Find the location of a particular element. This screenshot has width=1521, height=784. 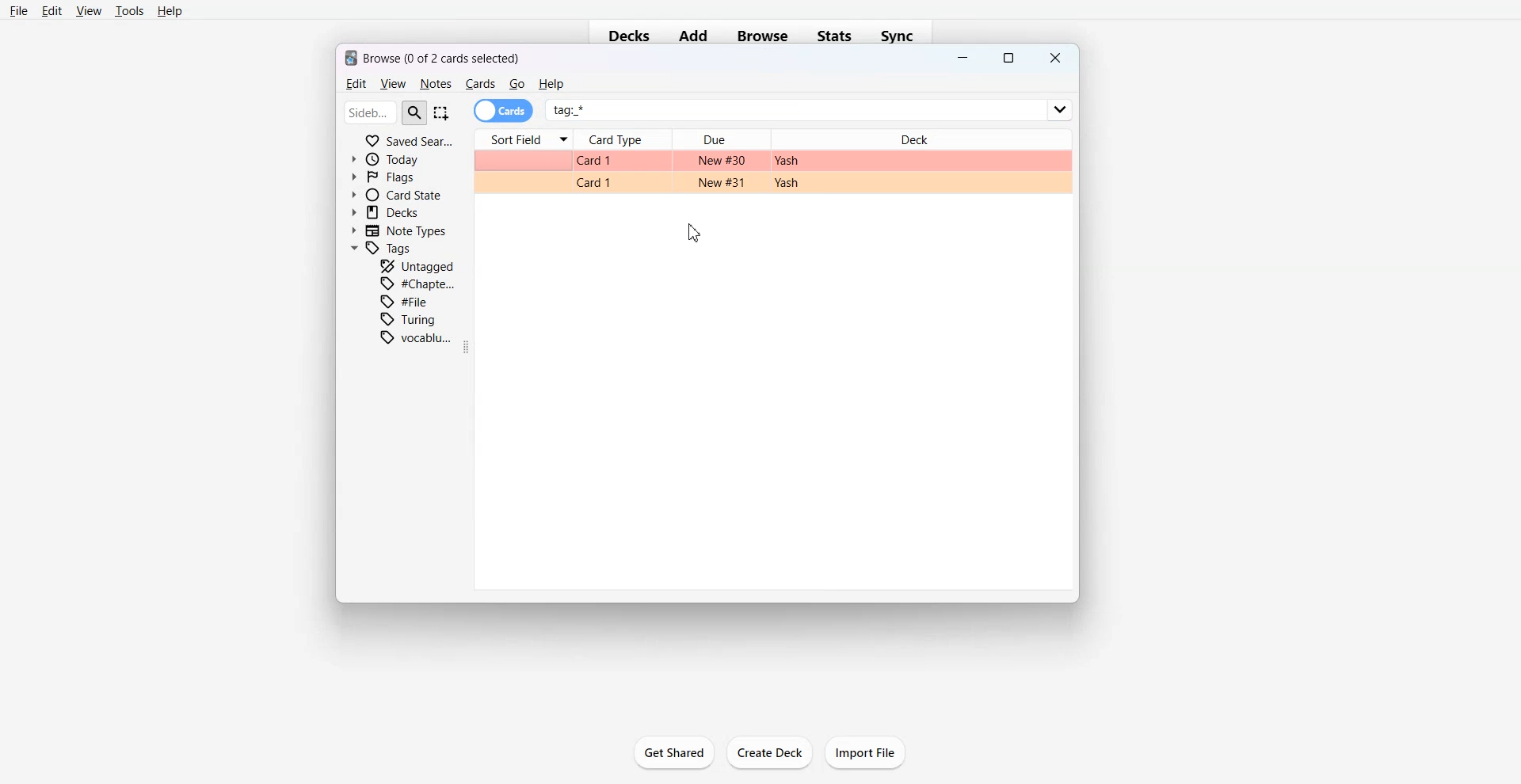

Turing is located at coordinates (409, 319).